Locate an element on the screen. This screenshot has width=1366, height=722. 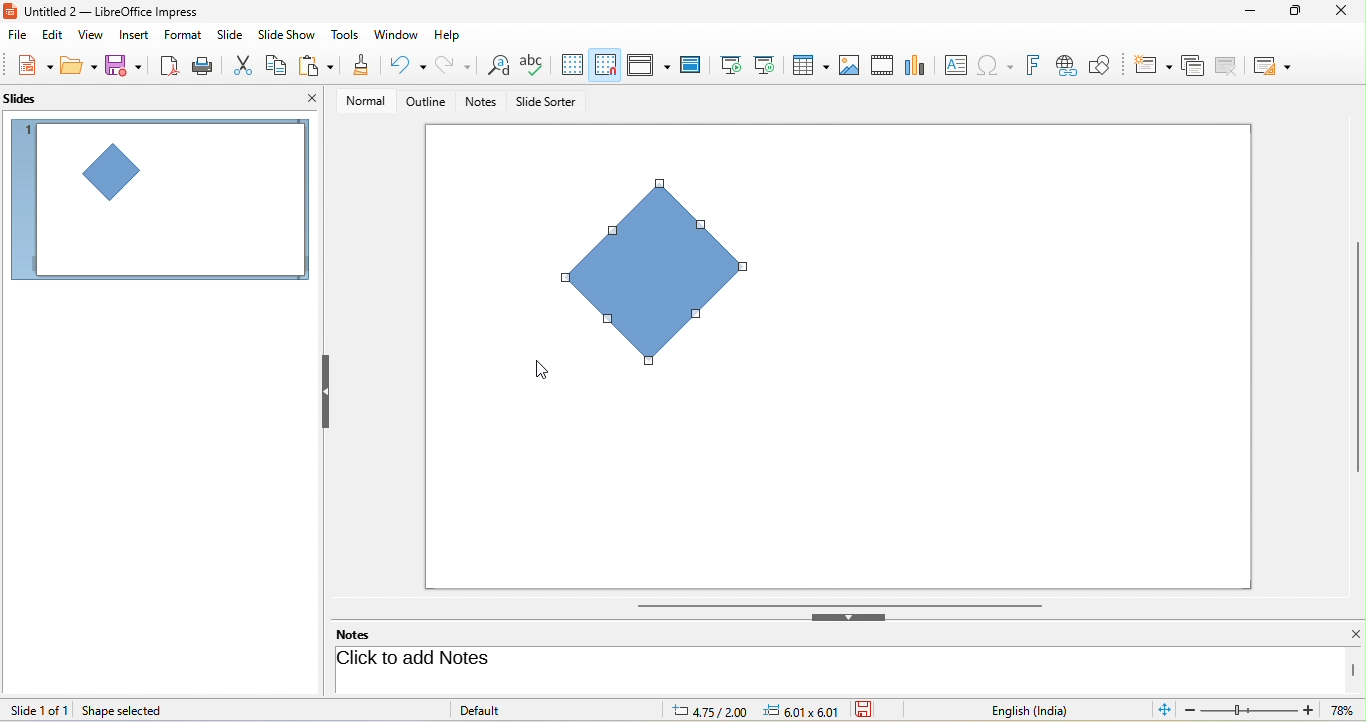
new slide is located at coordinates (1153, 63).